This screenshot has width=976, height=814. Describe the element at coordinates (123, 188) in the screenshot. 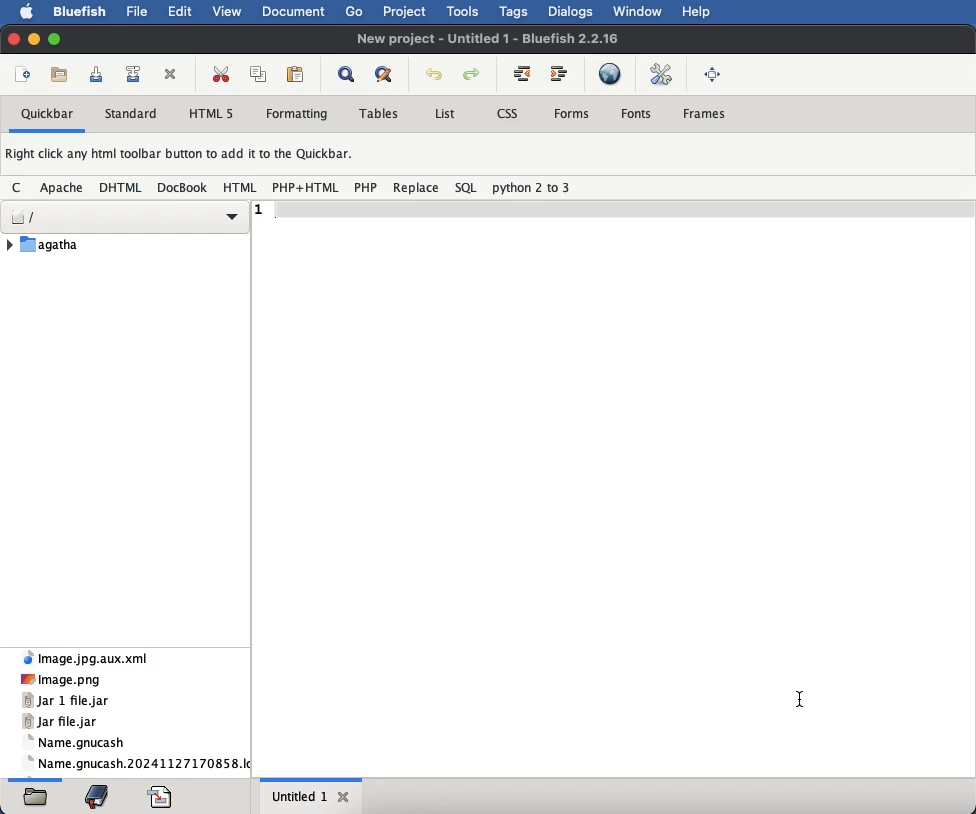

I see `dhtml` at that location.